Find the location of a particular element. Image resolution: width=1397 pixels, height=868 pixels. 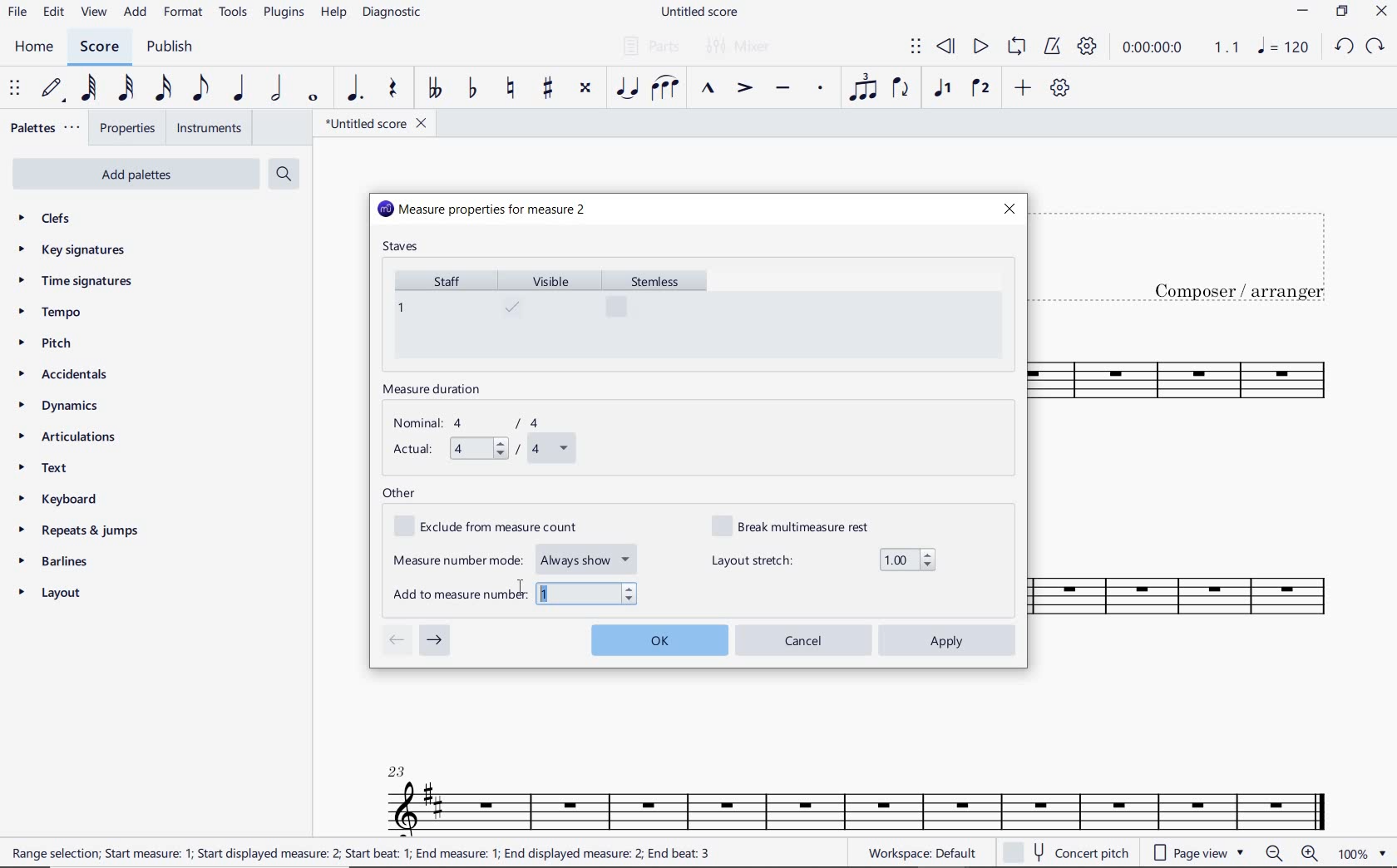

ARTICULATIONS is located at coordinates (68, 438).